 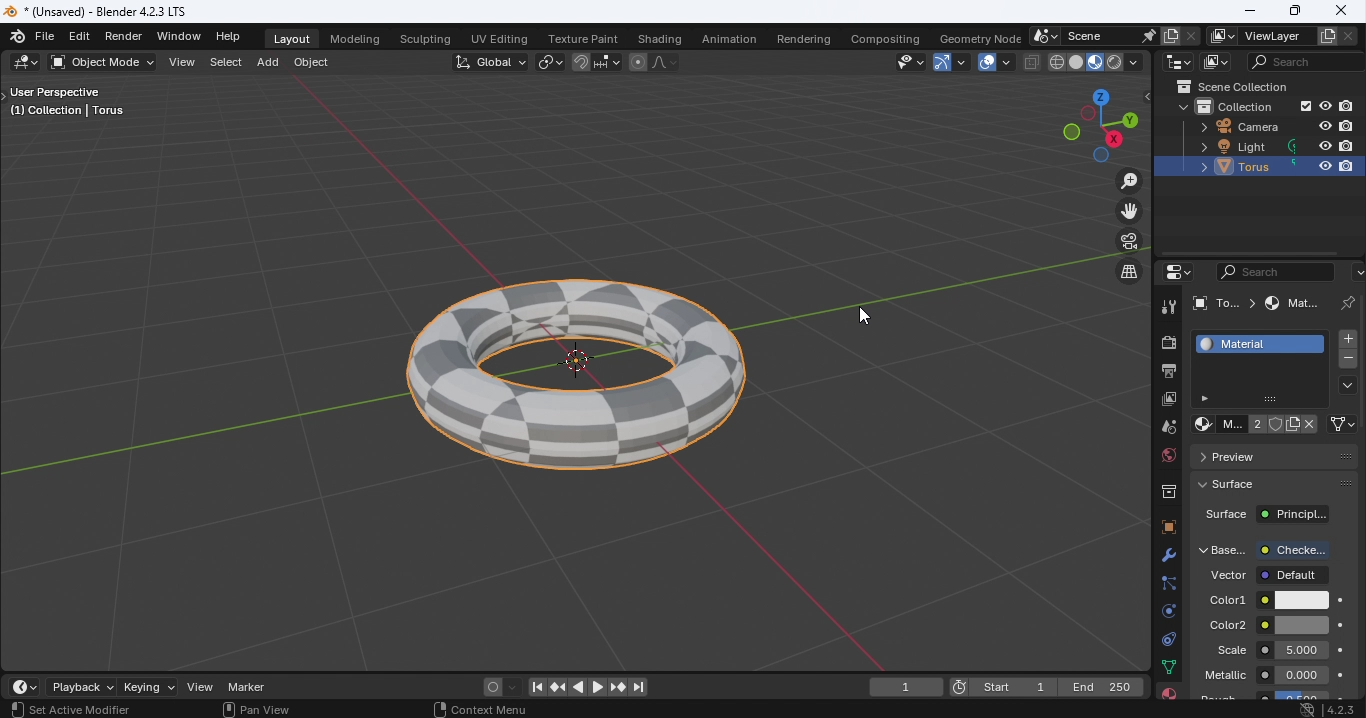 I want to click on Move the view, so click(x=1128, y=210).